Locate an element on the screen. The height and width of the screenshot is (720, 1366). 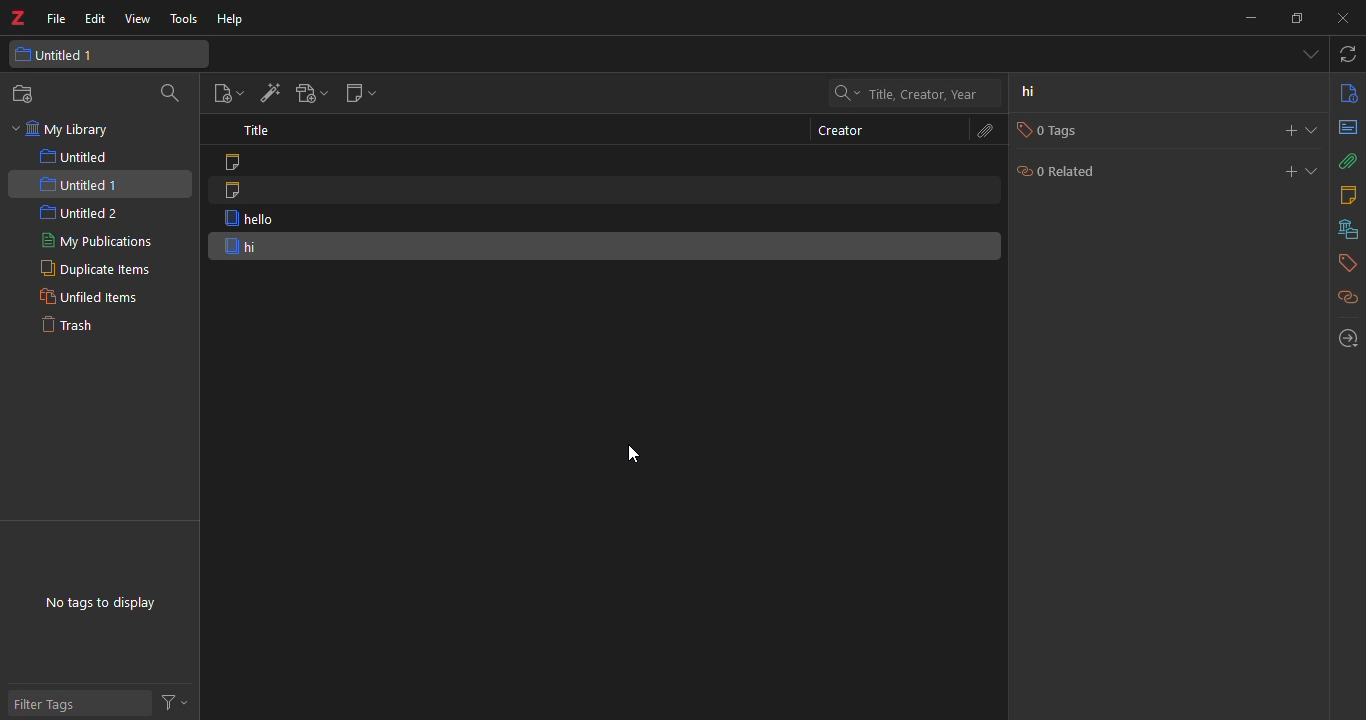
view is located at coordinates (137, 21).